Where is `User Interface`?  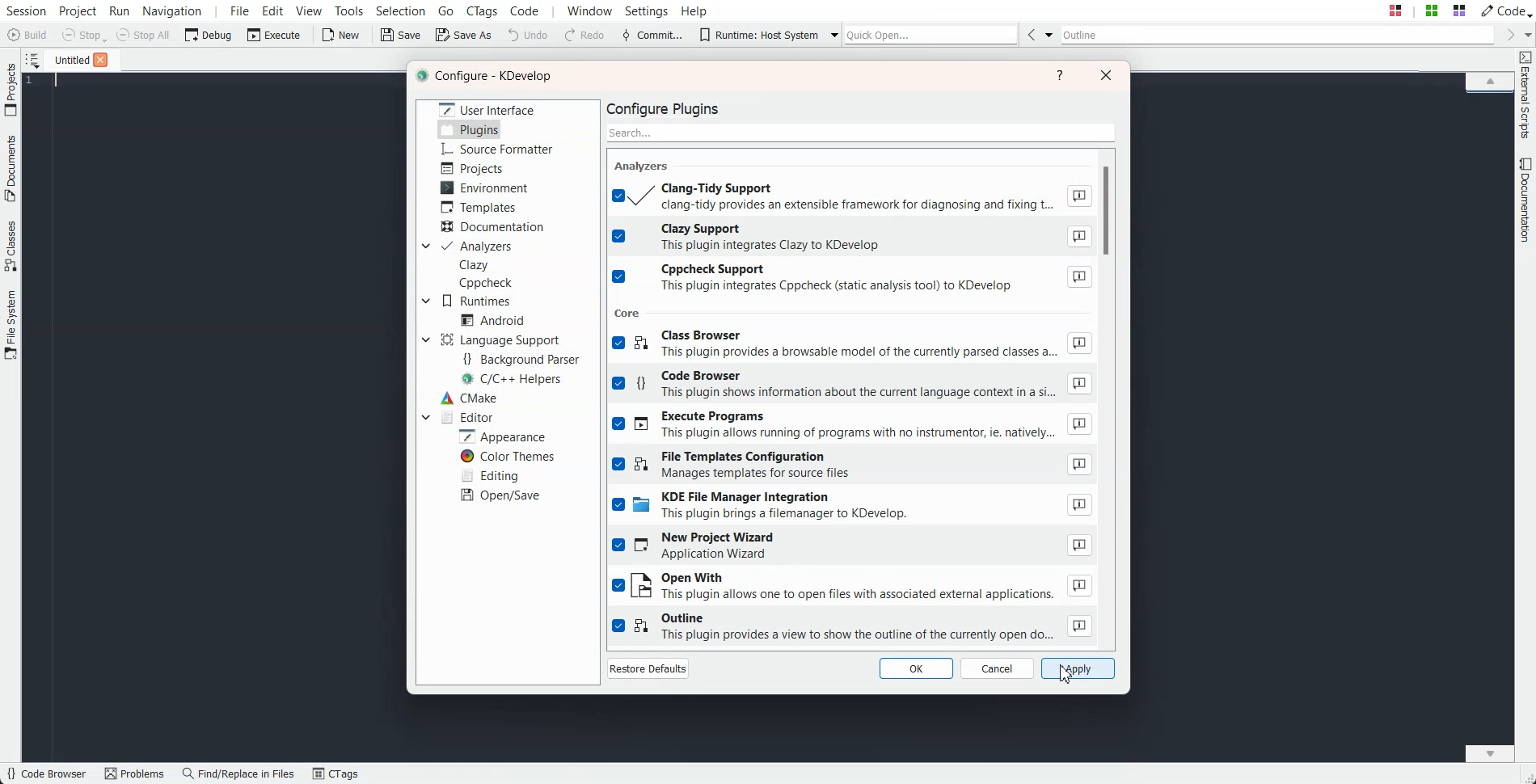
User Interface is located at coordinates (487, 108).